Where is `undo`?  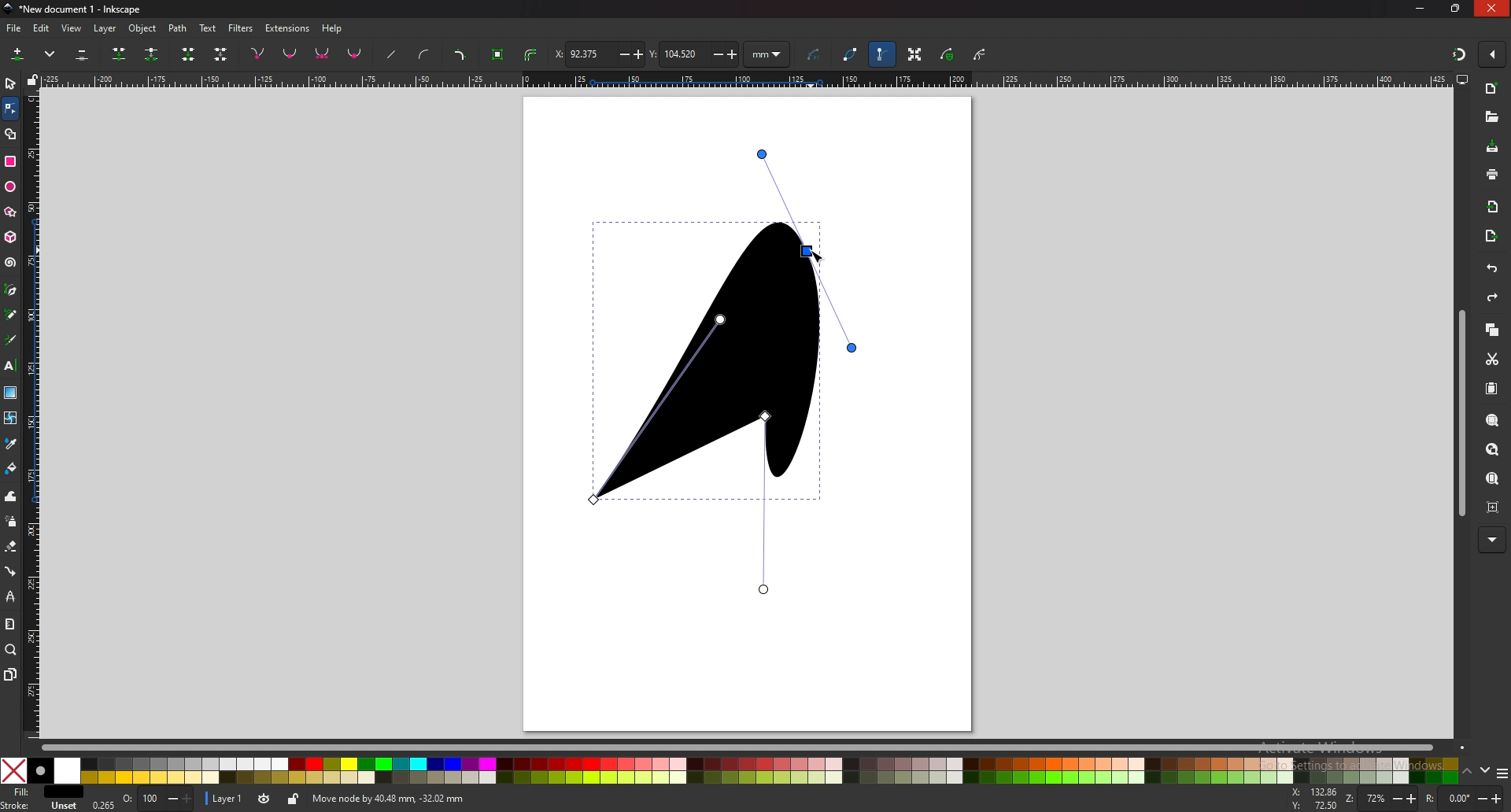
undo is located at coordinates (1492, 269).